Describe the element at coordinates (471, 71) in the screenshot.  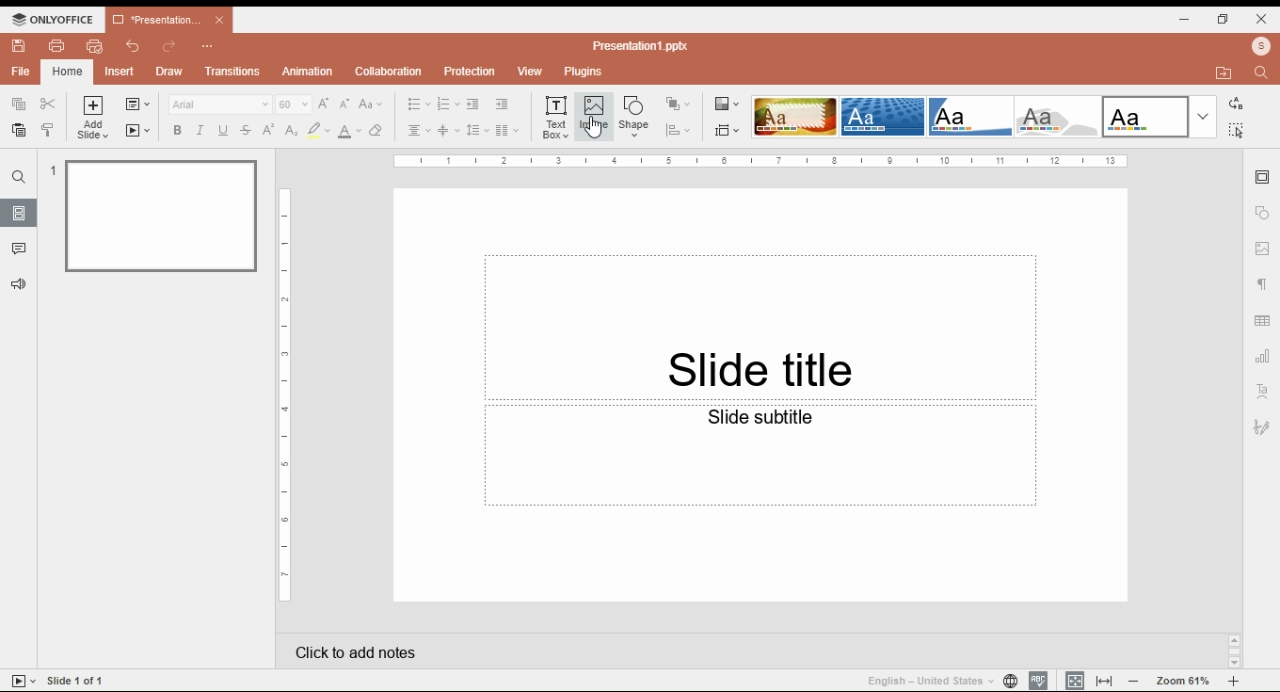
I see `protection` at that location.